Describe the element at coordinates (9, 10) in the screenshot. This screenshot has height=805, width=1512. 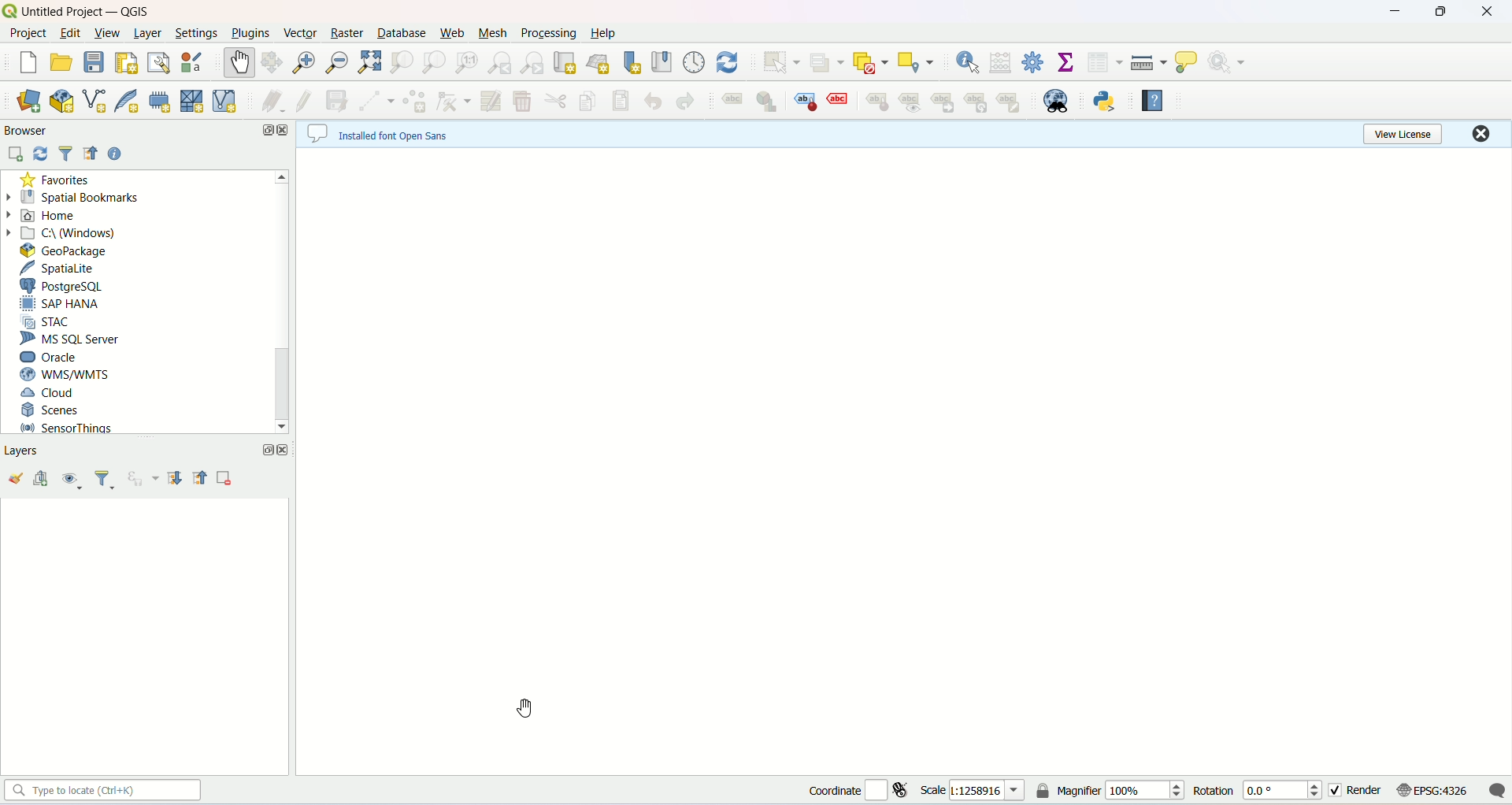
I see `logo` at that location.